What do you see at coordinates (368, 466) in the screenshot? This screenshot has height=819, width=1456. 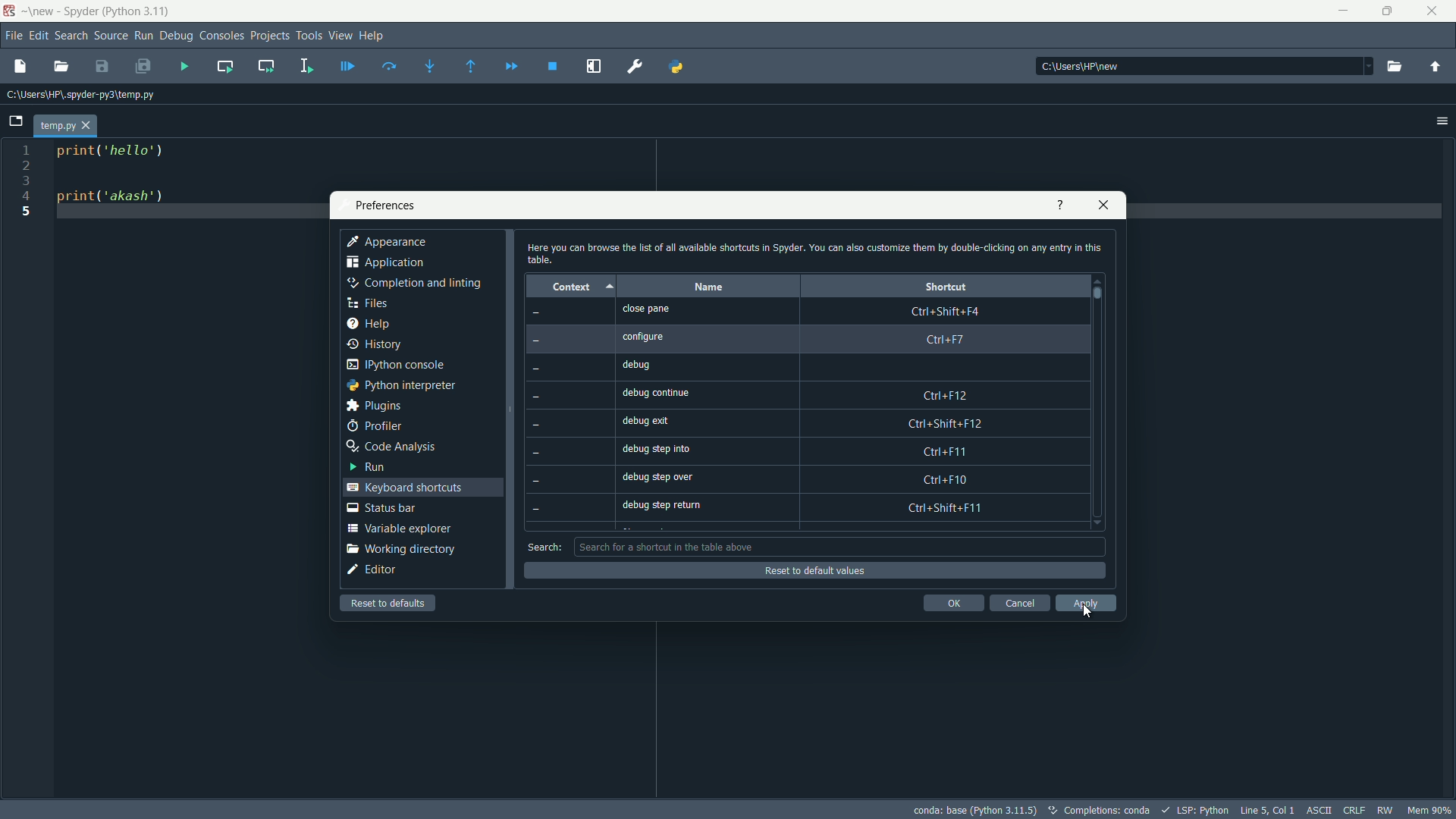 I see `run` at bounding box center [368, 466].